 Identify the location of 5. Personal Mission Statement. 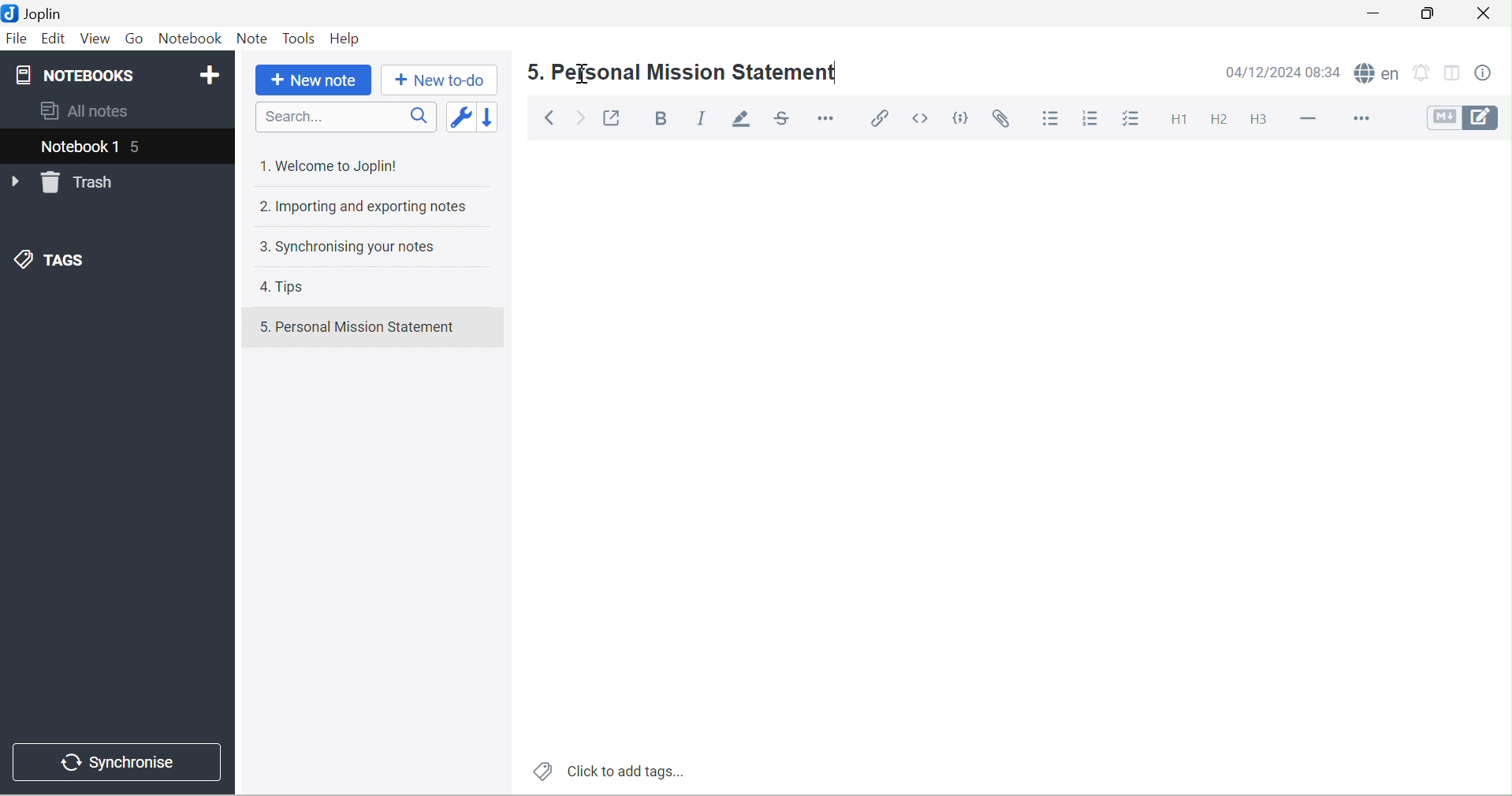
(695, 72).